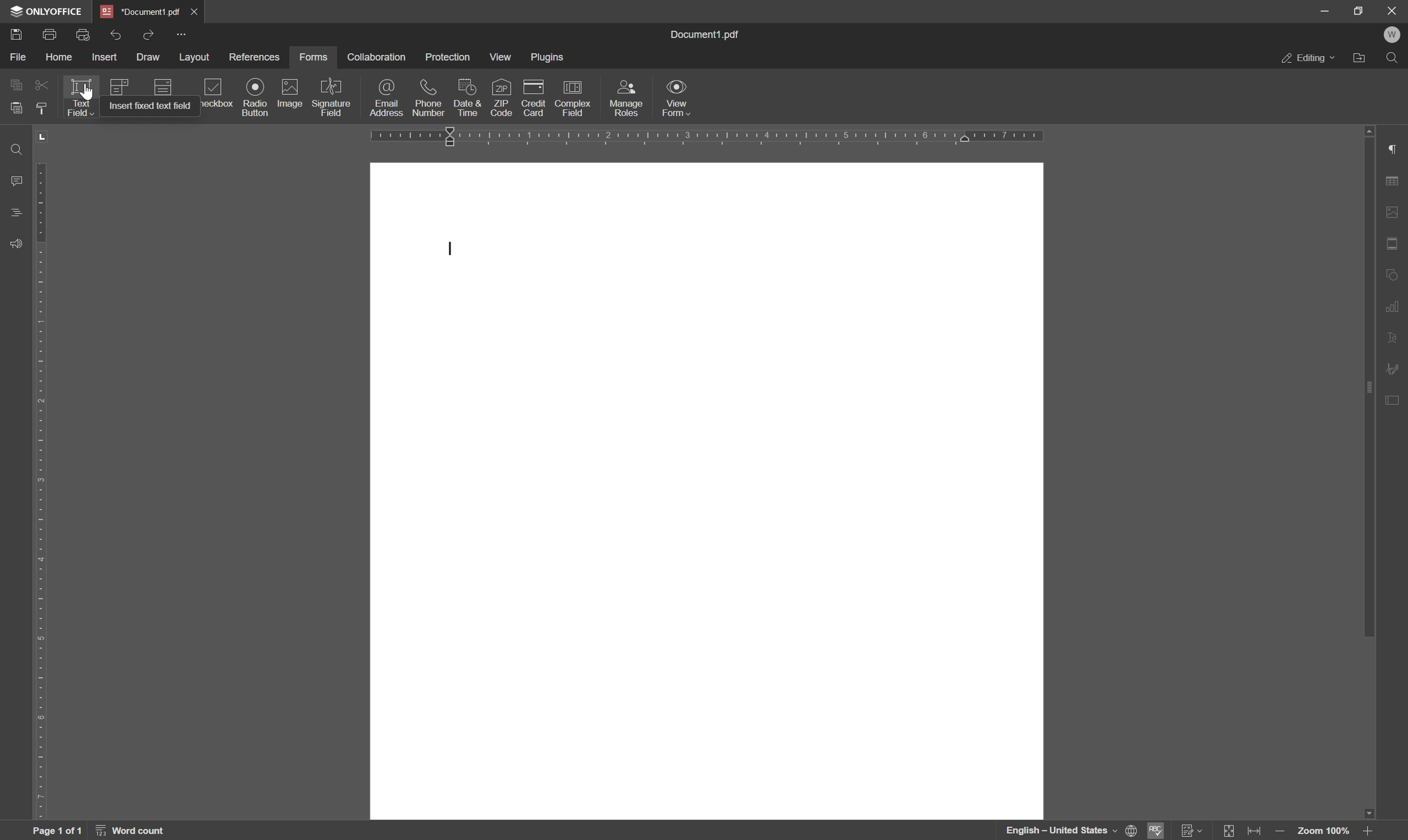 The width and height of the screenshot is (1408, 840). I want to click on undo, so click(117, 34).